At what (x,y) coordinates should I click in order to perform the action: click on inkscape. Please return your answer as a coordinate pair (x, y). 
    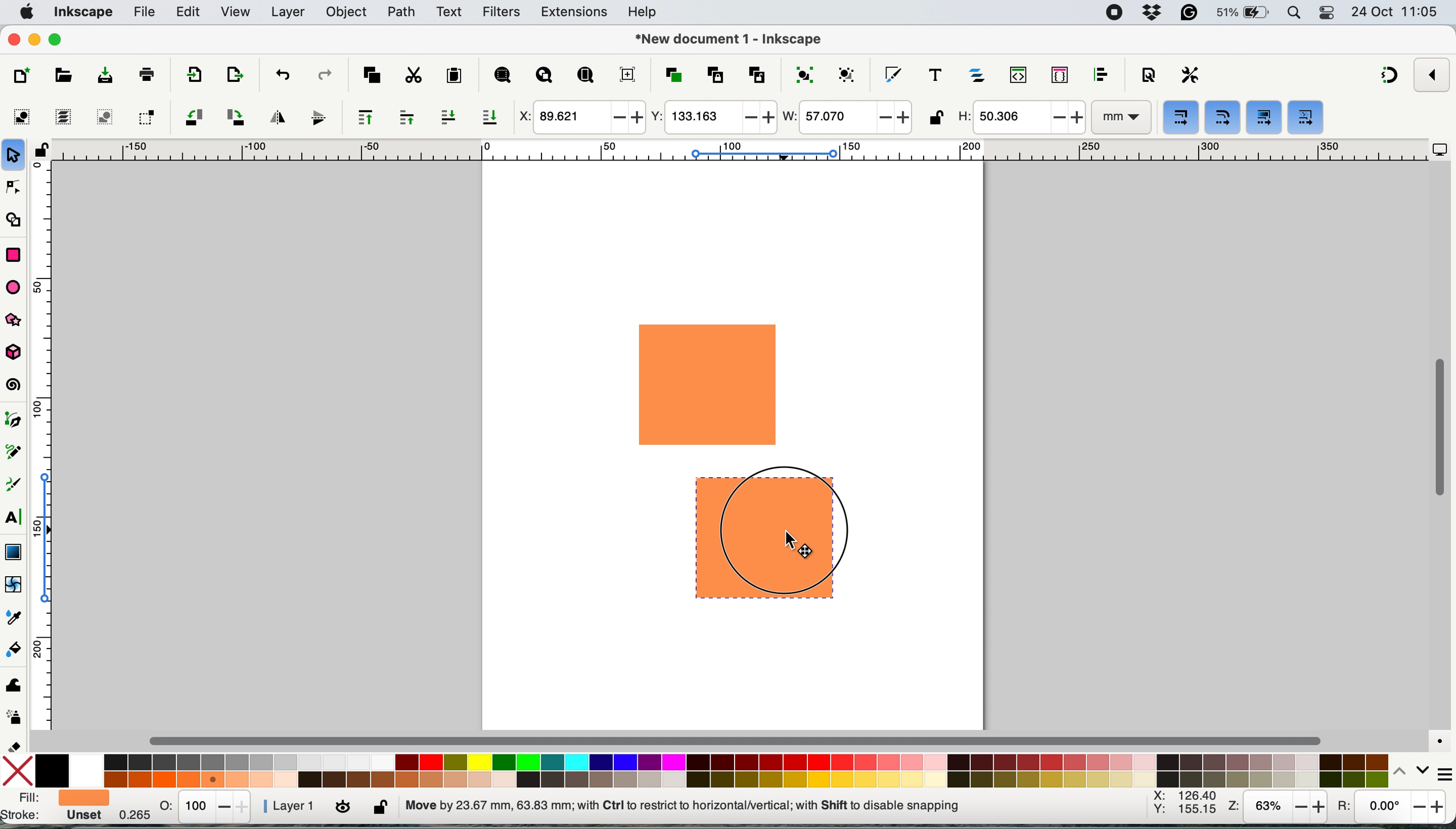
    Looking at the image, I should click on (83, 13).